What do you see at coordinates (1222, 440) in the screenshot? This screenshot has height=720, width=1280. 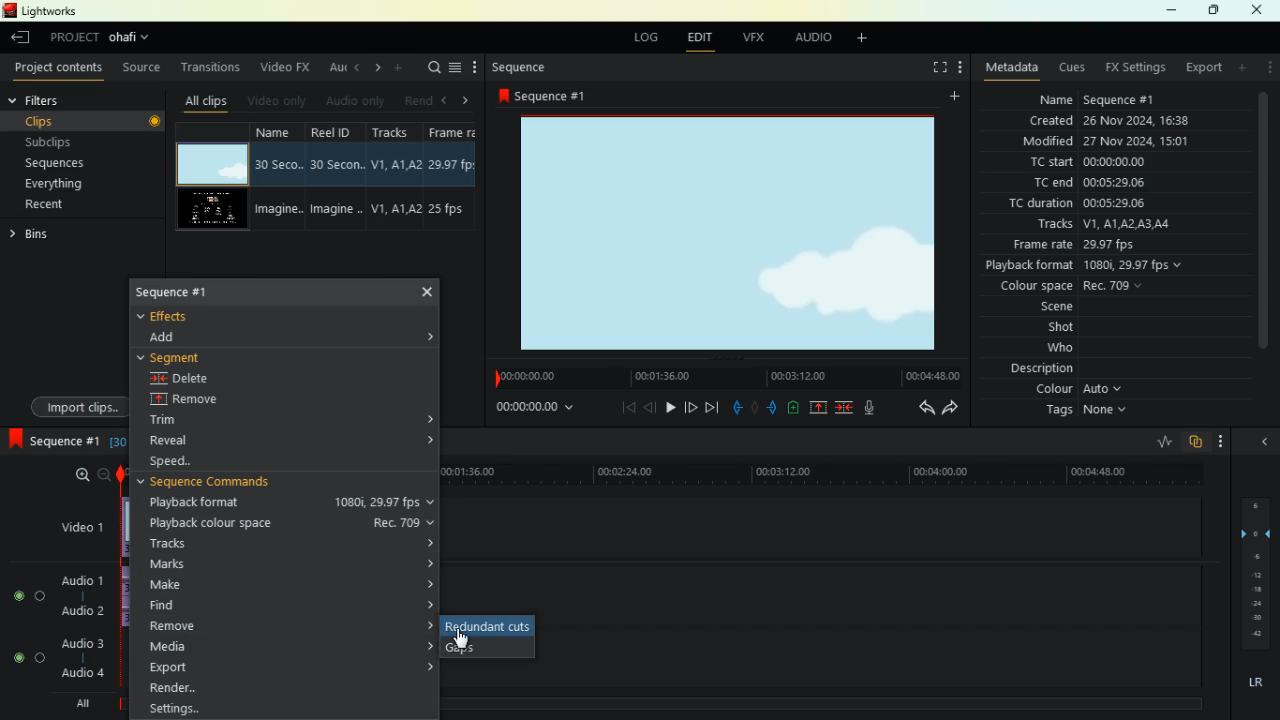 I see `more` at bounding box center [1222, 440].